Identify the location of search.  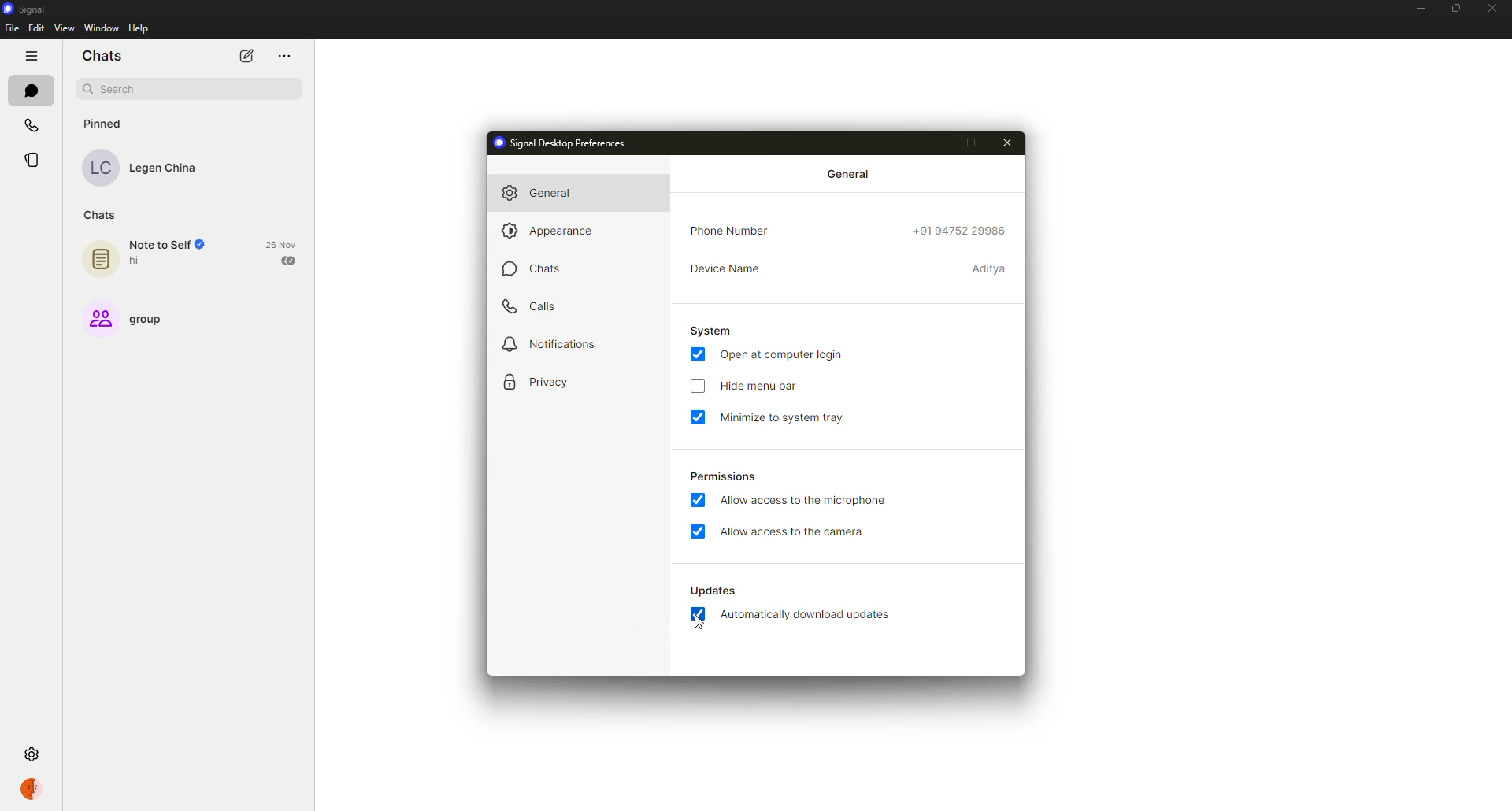
(192, 88).